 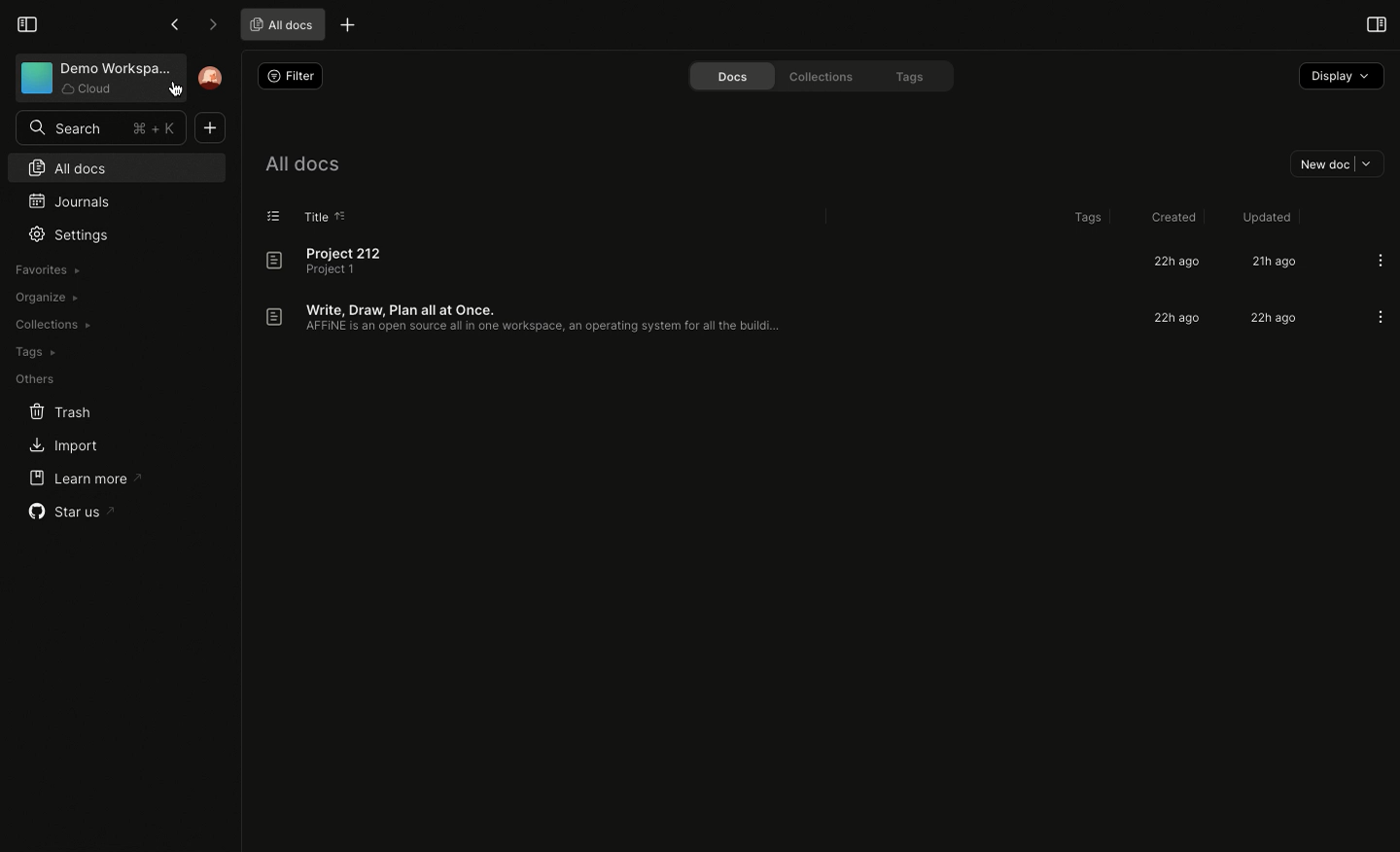 What do you see at coordinates (1381, 260) in the screenshot?
I see `Options` at bounding box center [1381, 260].